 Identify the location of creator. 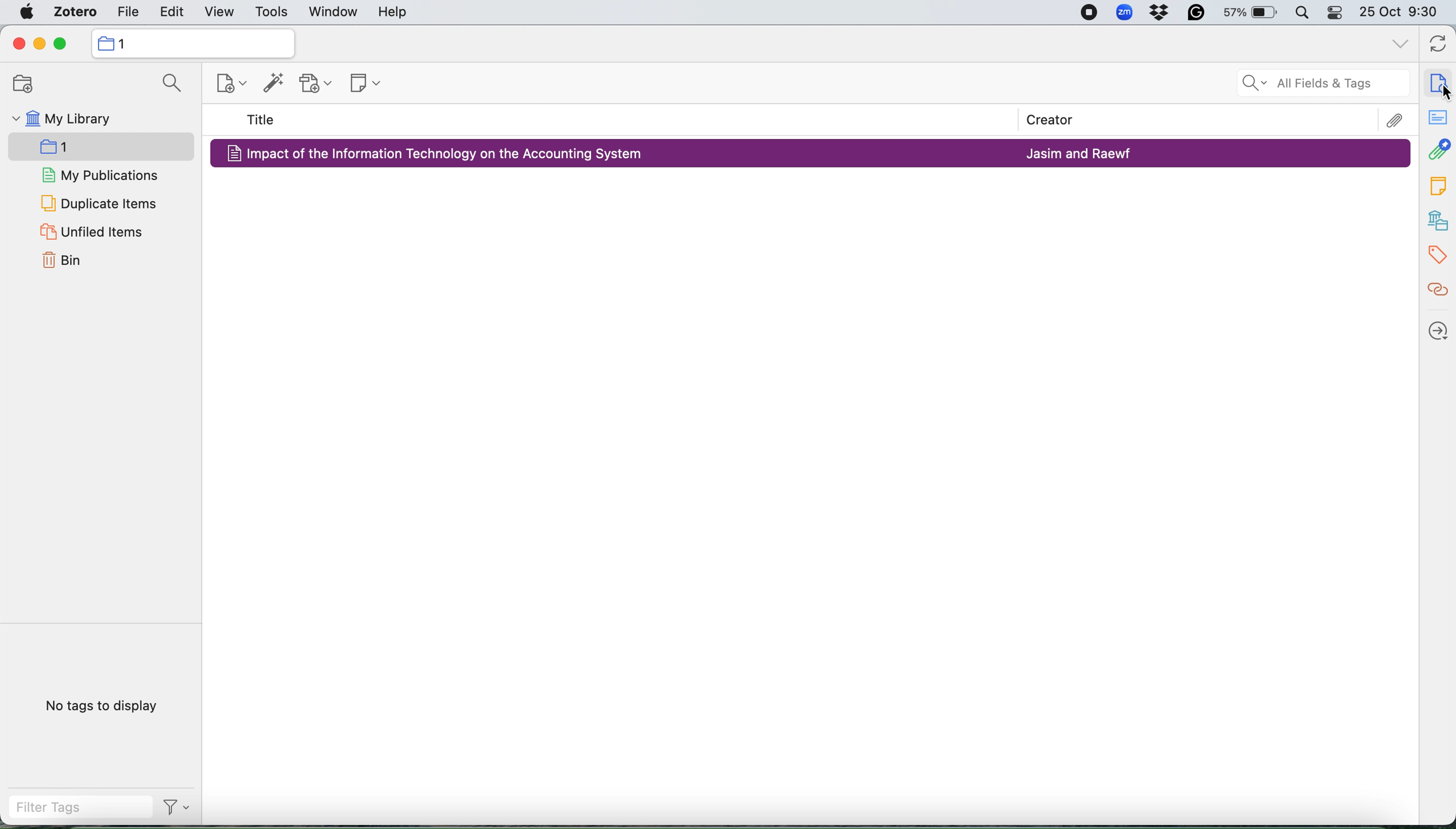
(1061, 120).